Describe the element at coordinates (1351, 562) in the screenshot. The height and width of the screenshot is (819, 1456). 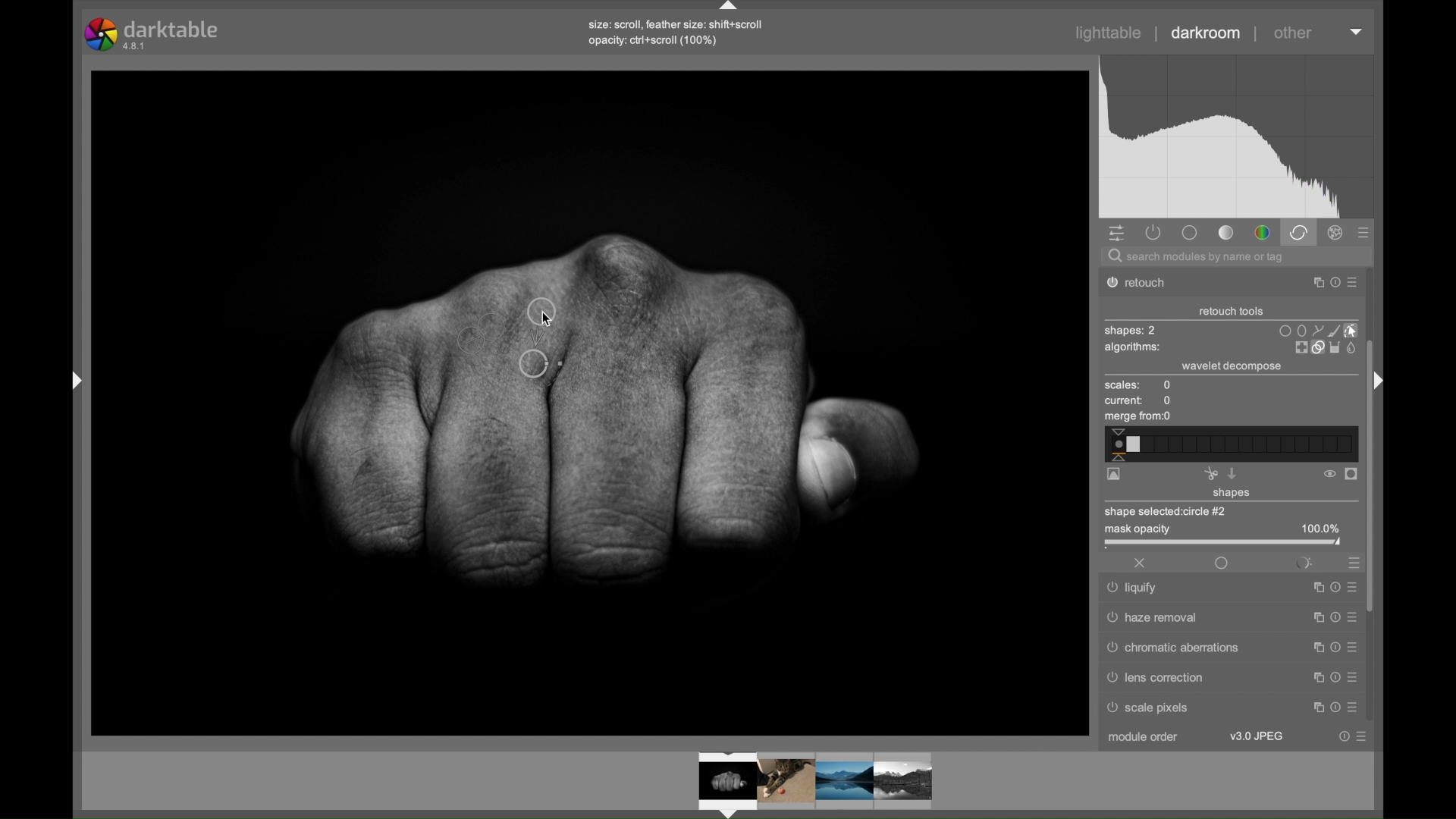
I see `presets` at that location.